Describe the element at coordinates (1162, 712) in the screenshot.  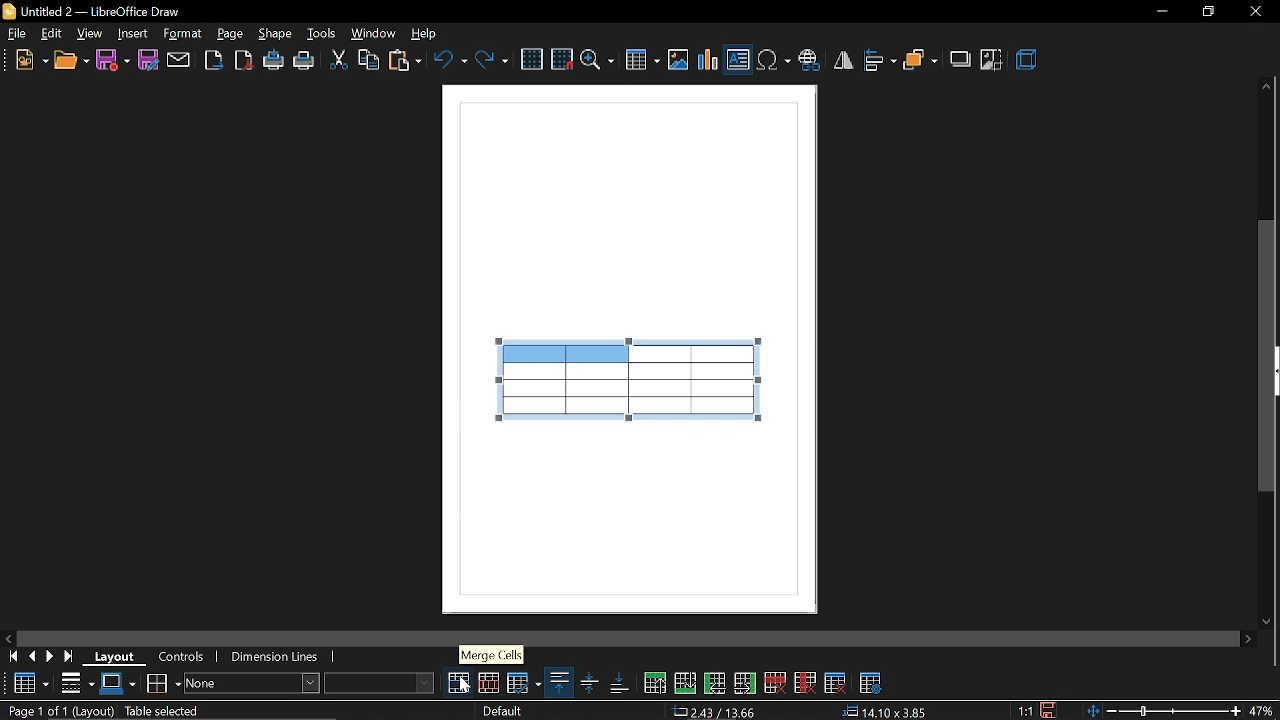
I see `zoom change` at that location.